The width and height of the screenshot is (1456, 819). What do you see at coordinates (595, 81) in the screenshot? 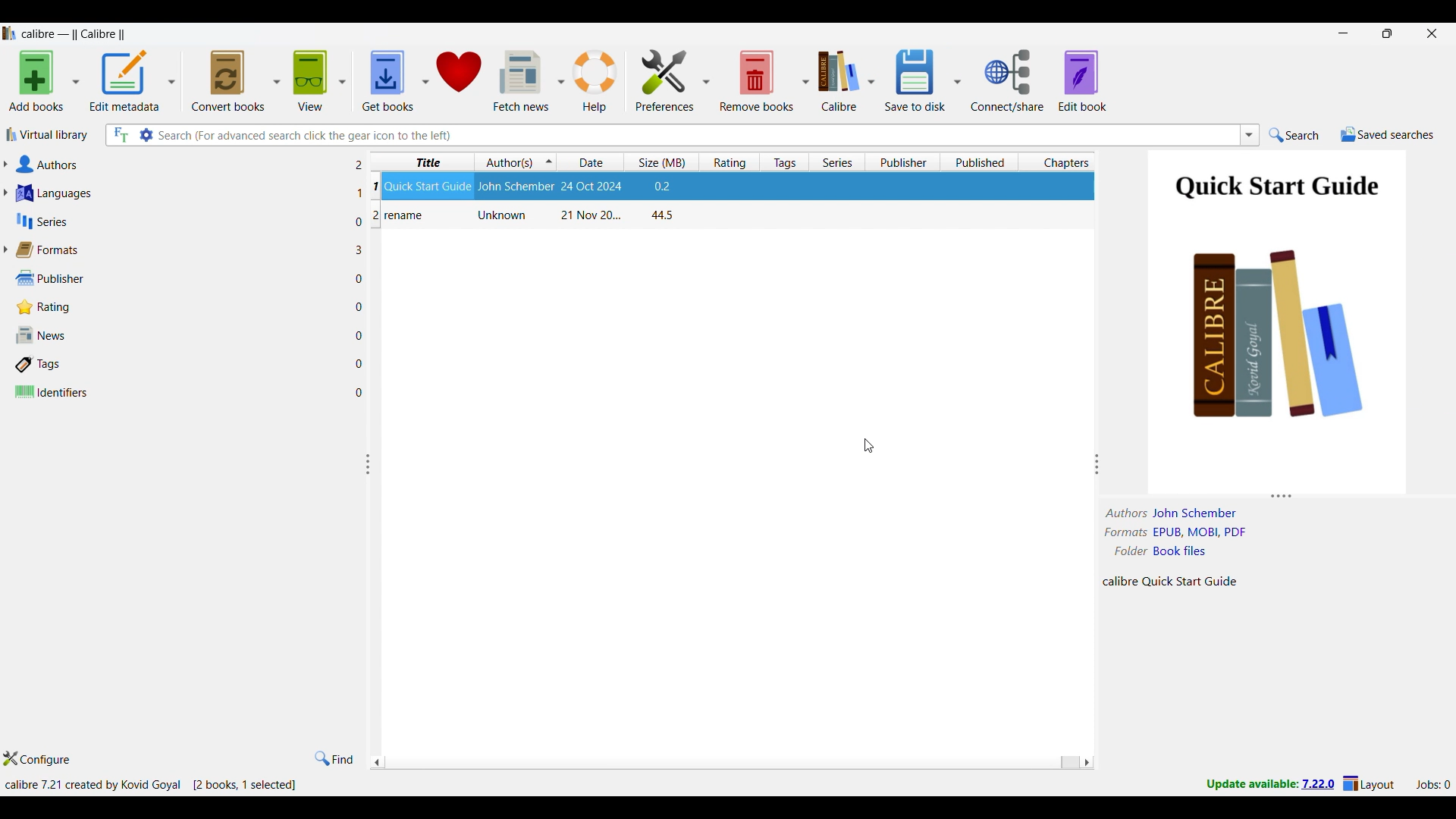
I see `Help` at bounding box center [595, 81].